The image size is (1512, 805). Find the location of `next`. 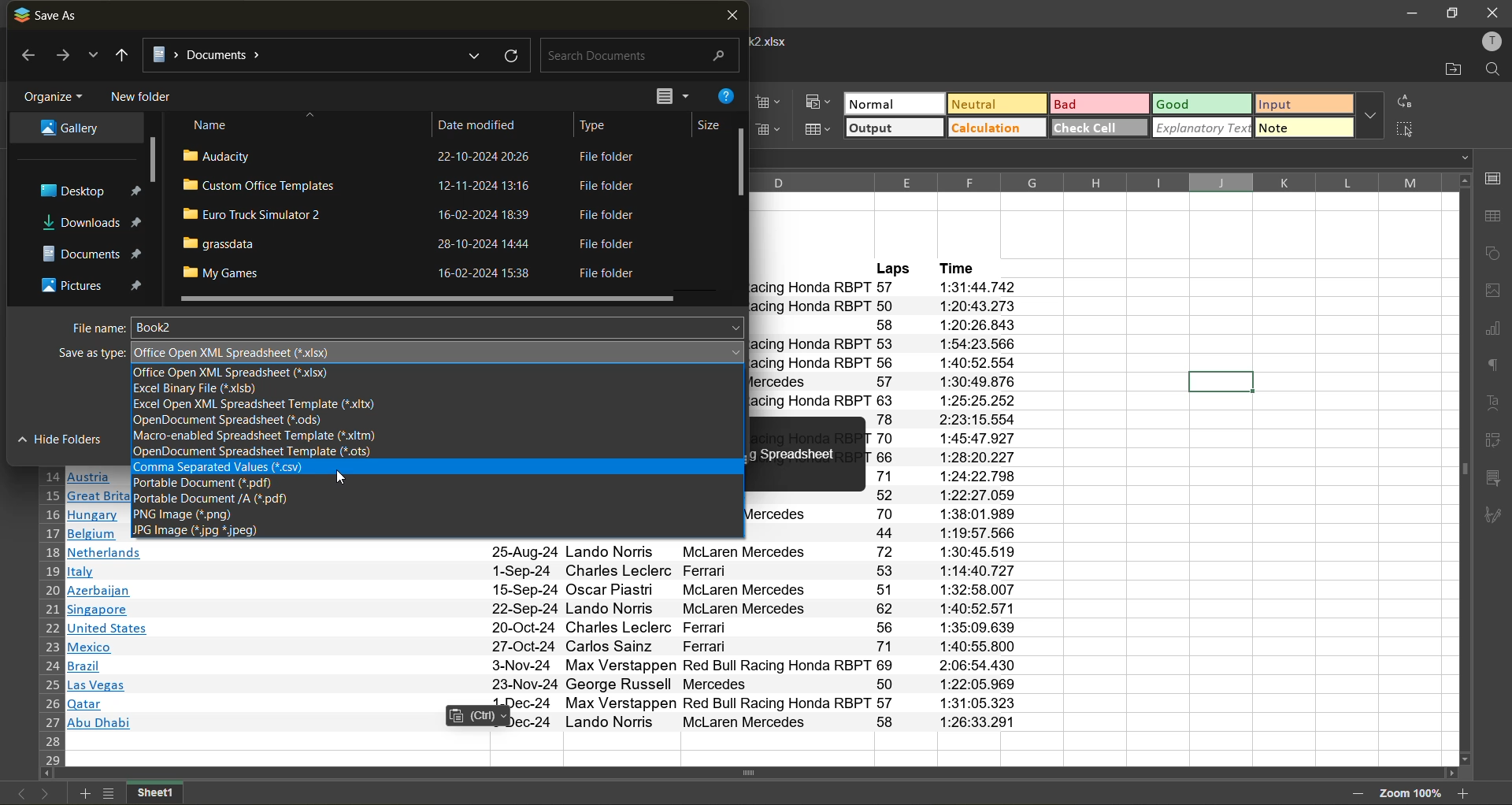

next is located at coordinates (44, 796).